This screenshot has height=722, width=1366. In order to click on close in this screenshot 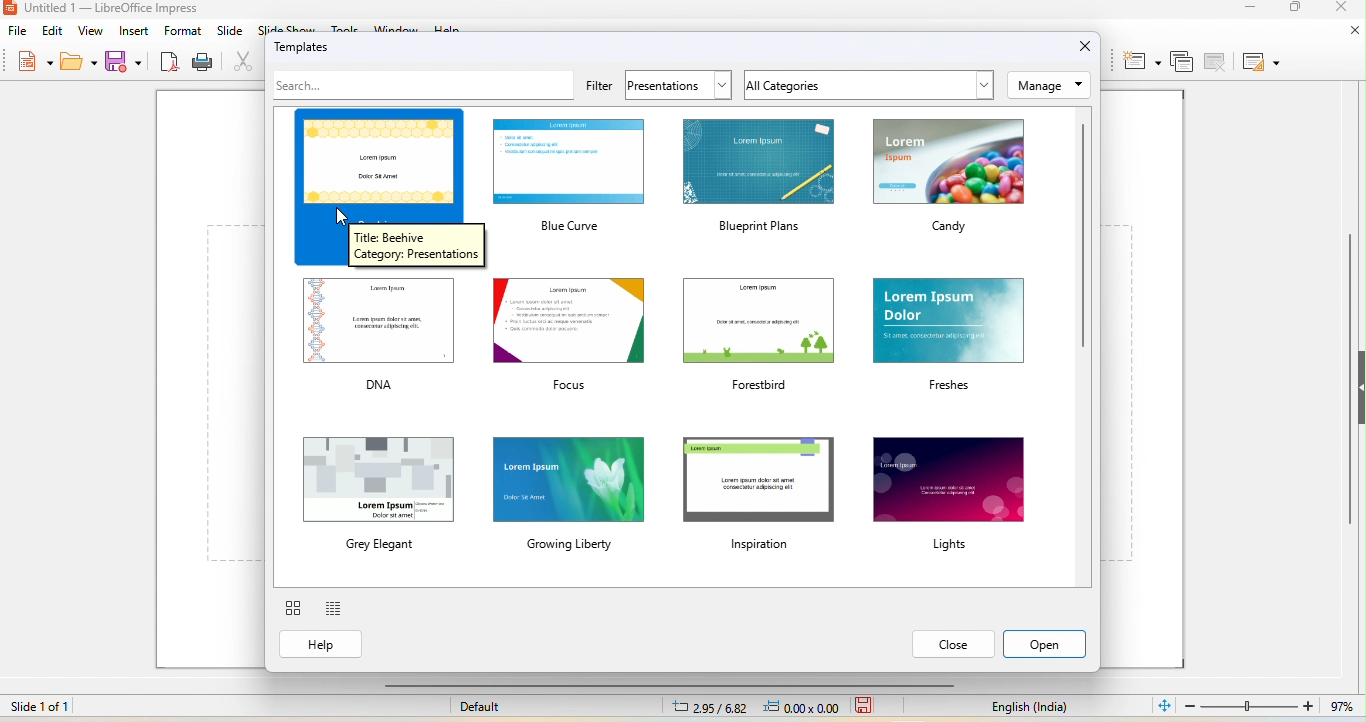, I will do `click(1338, 9)`.